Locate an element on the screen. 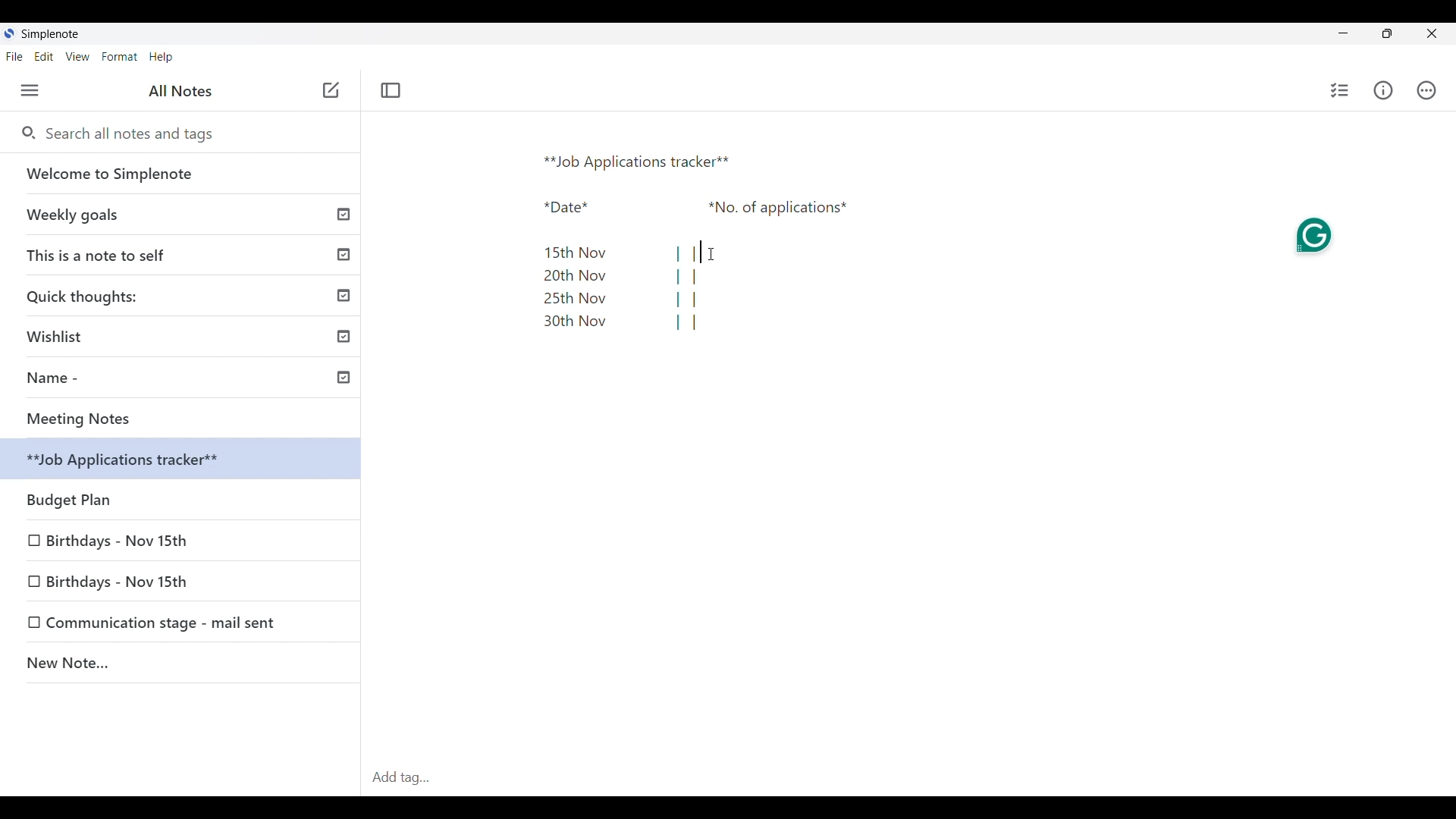  Cursor is located at coordinates (711, 253).